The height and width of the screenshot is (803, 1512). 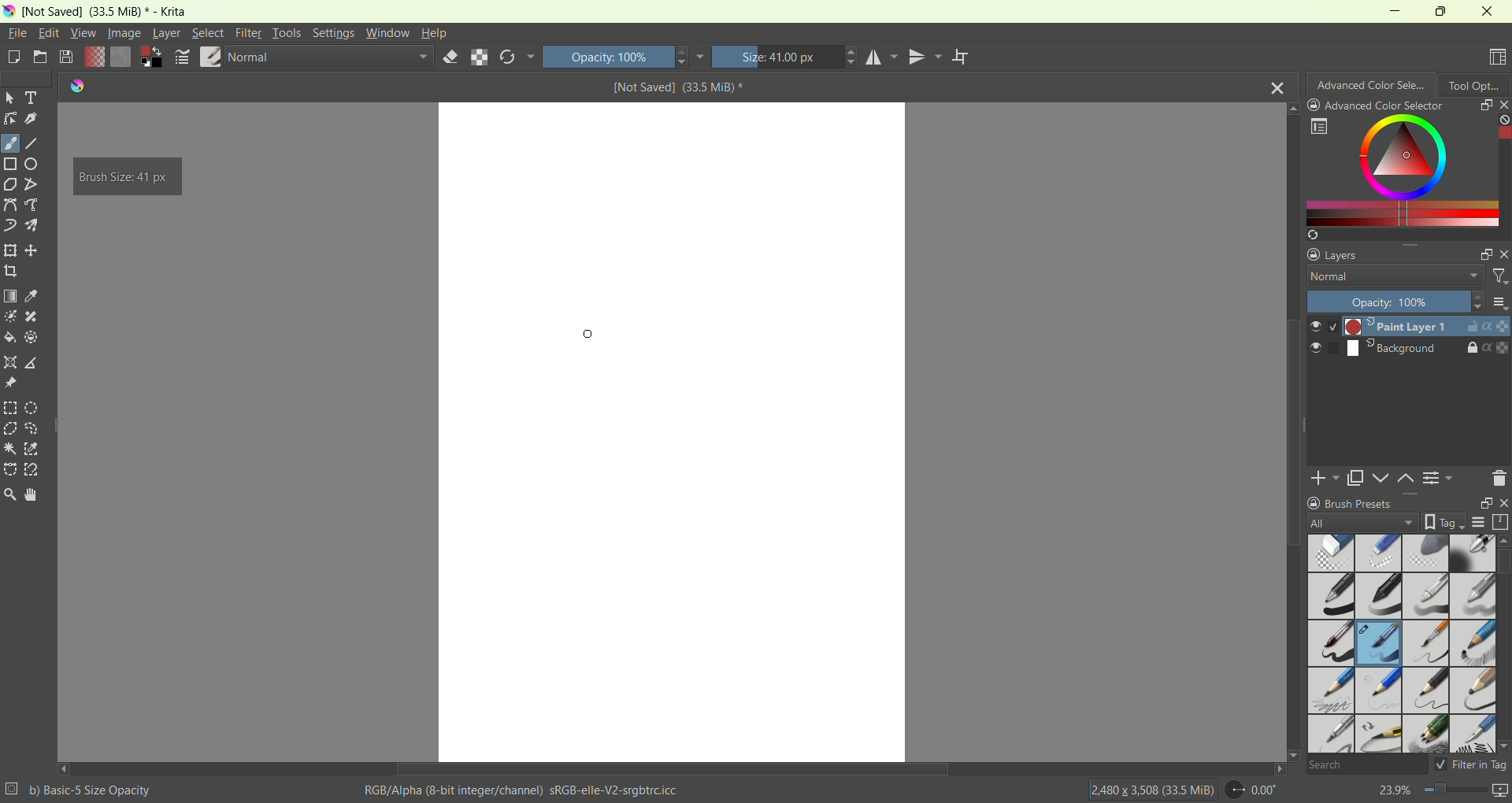 I want to click on all, so click(x=1356, y=523).